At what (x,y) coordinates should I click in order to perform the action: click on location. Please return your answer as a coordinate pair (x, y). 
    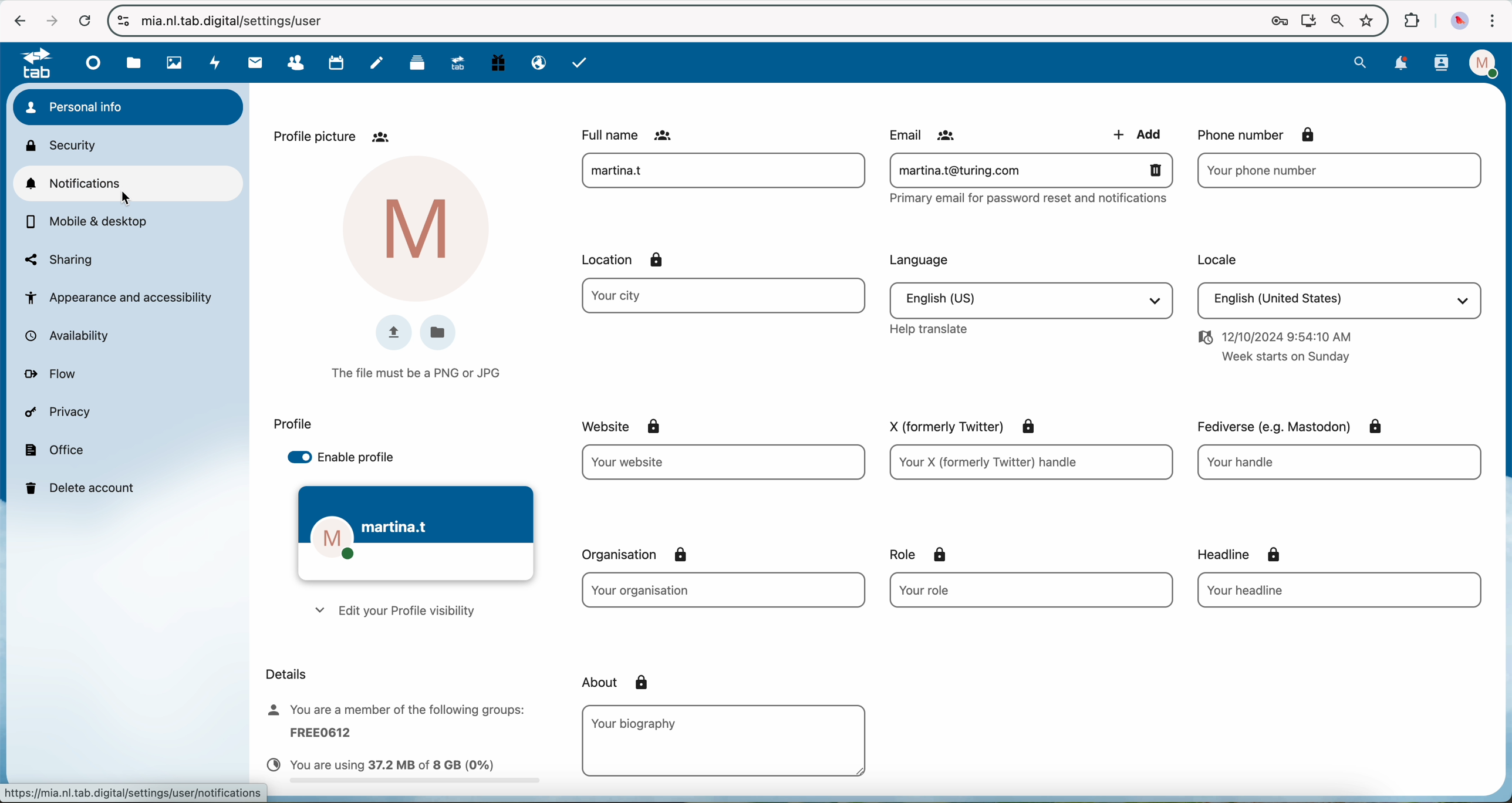
    Looking at the image, I should click on (626, 258).